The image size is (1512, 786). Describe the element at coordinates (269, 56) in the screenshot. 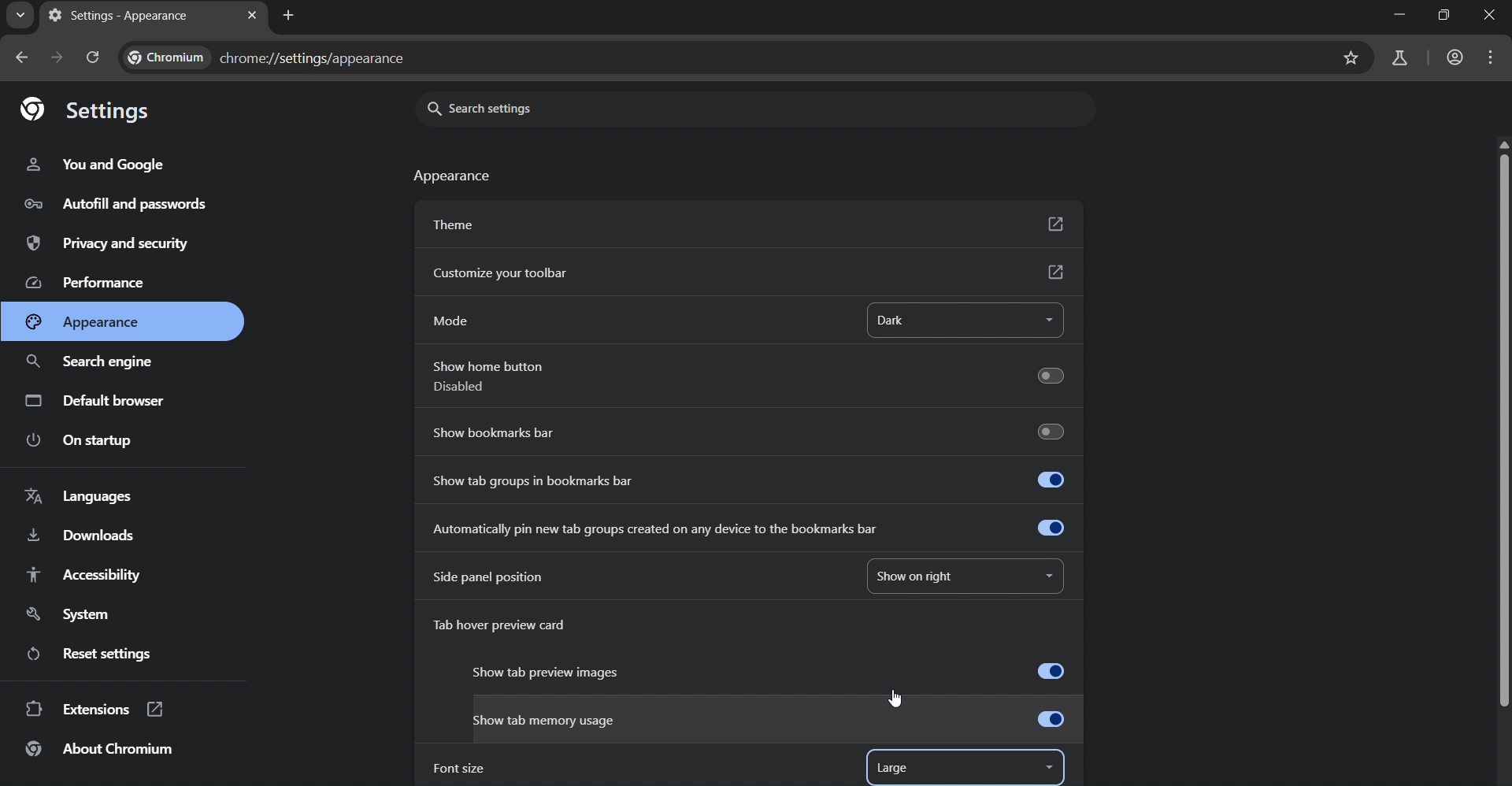

I see `text` at that location.